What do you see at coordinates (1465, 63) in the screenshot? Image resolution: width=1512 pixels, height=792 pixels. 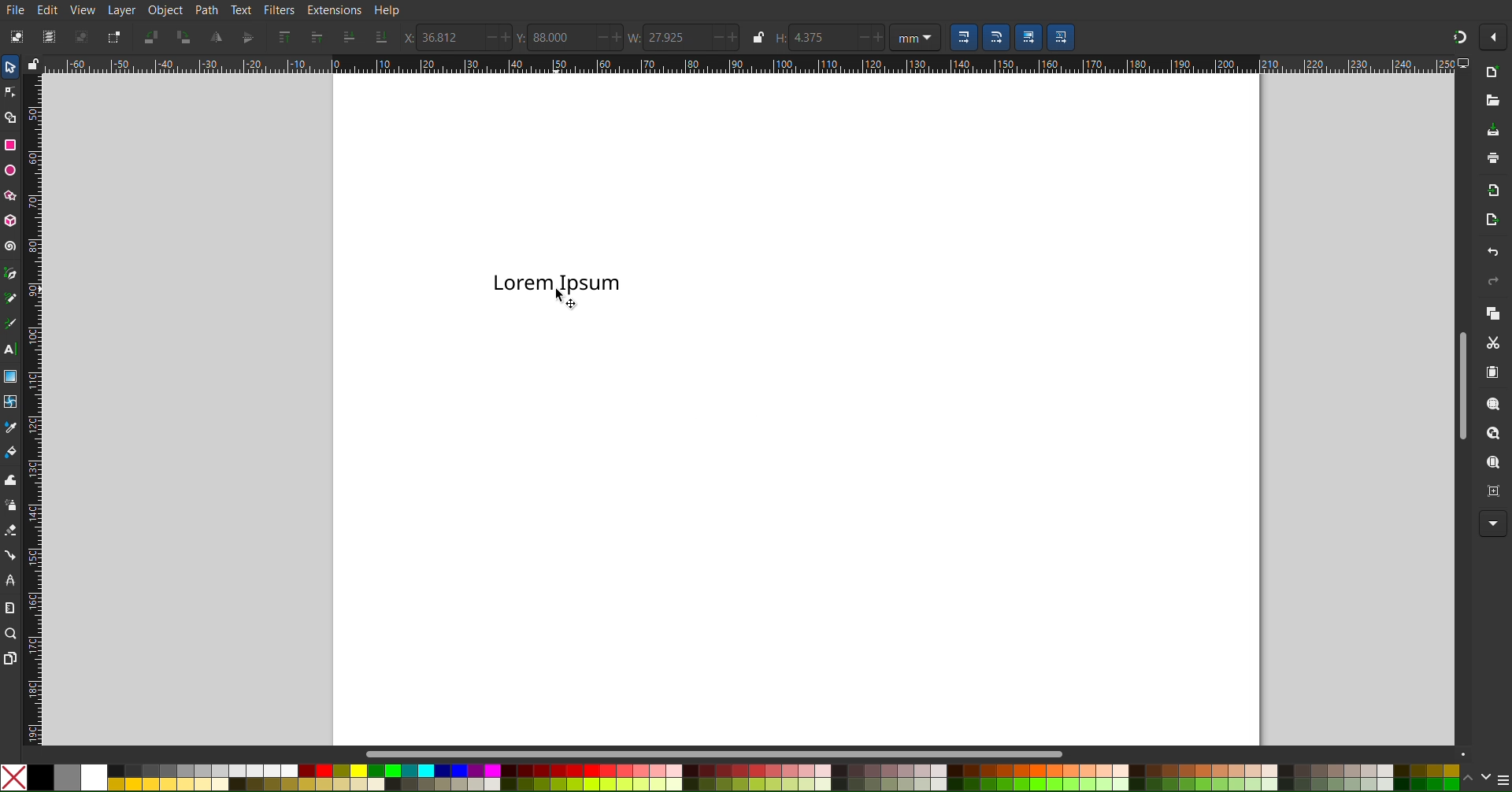 I see `computer icon` at bounding box center [1465, 63].